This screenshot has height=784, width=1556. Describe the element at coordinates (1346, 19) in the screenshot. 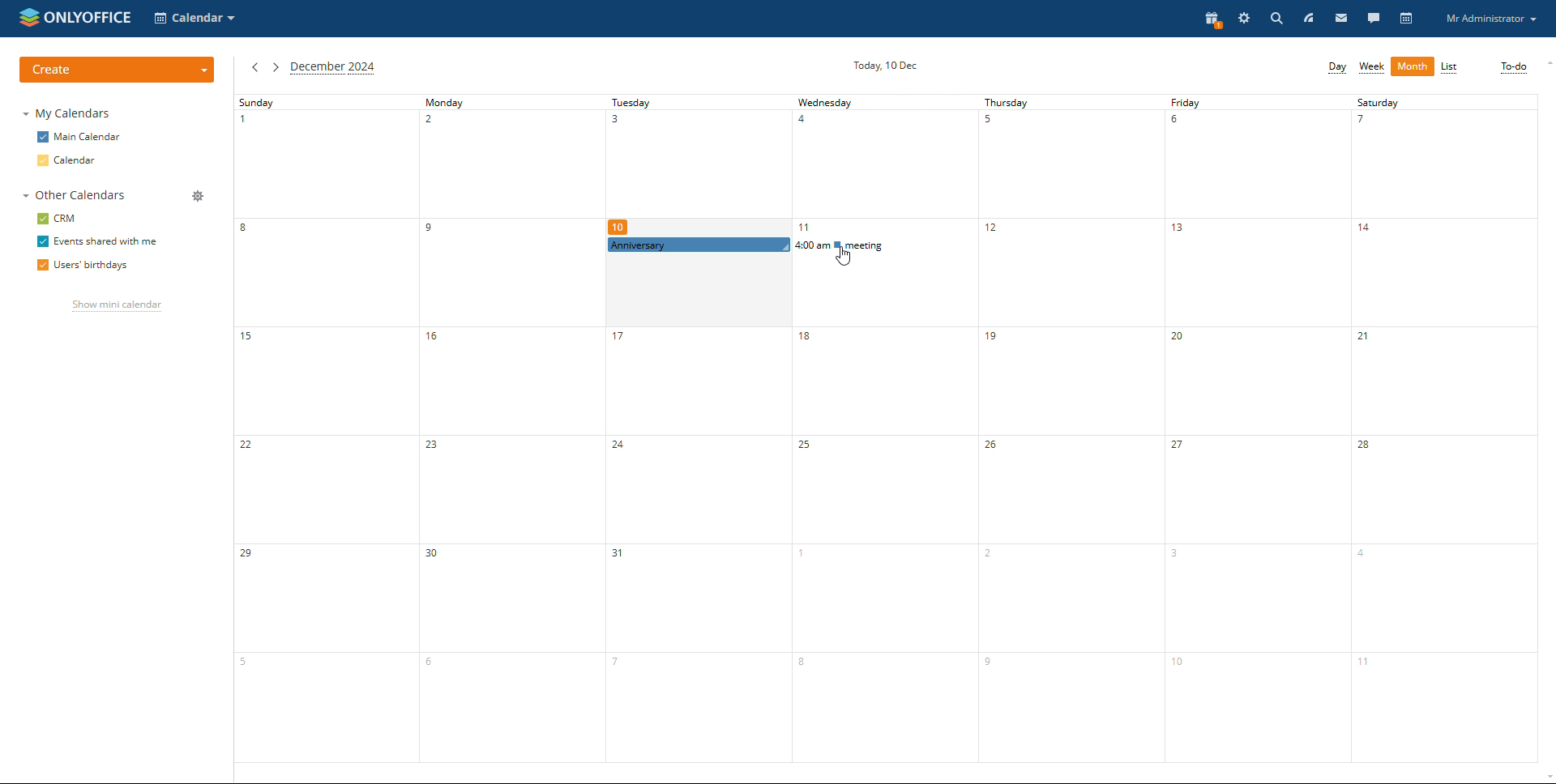

I see `mail` at that location.